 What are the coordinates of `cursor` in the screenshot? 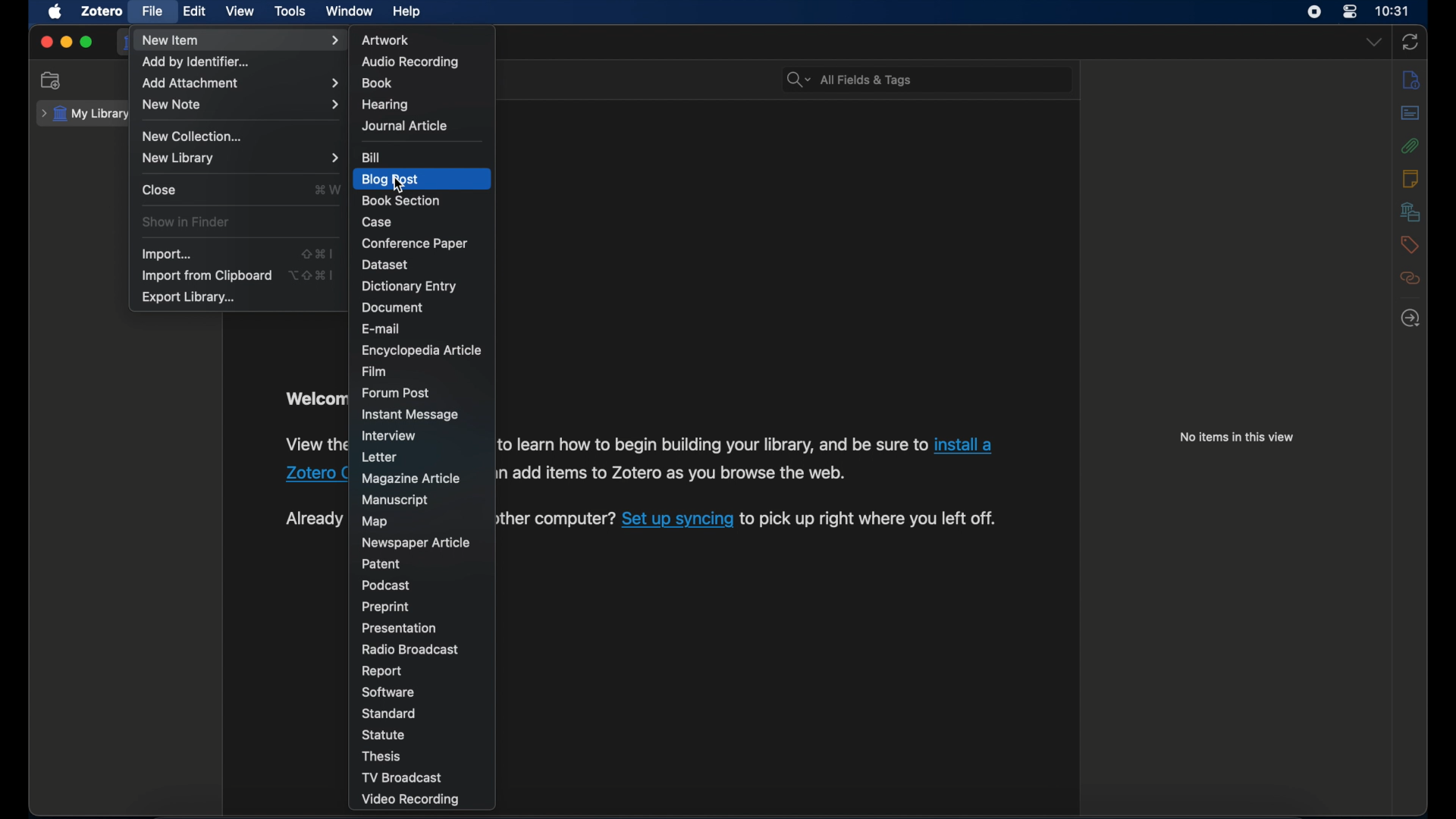 It's located at (397, 186).